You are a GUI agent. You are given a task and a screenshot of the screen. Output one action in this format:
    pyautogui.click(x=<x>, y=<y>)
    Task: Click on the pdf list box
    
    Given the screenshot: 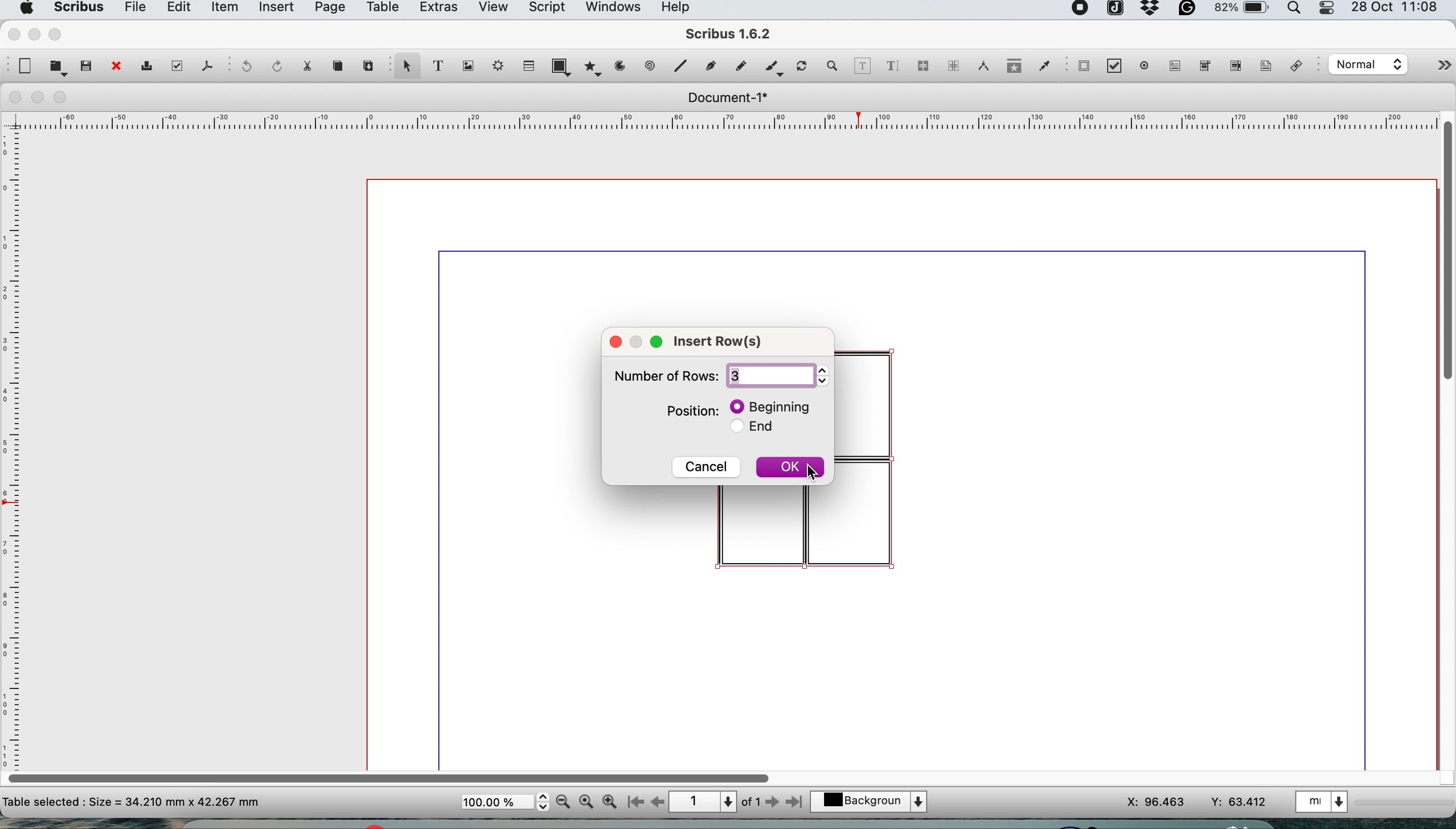 What is the action you would take?
    pyautogui.click(x=1234, y=68)
    